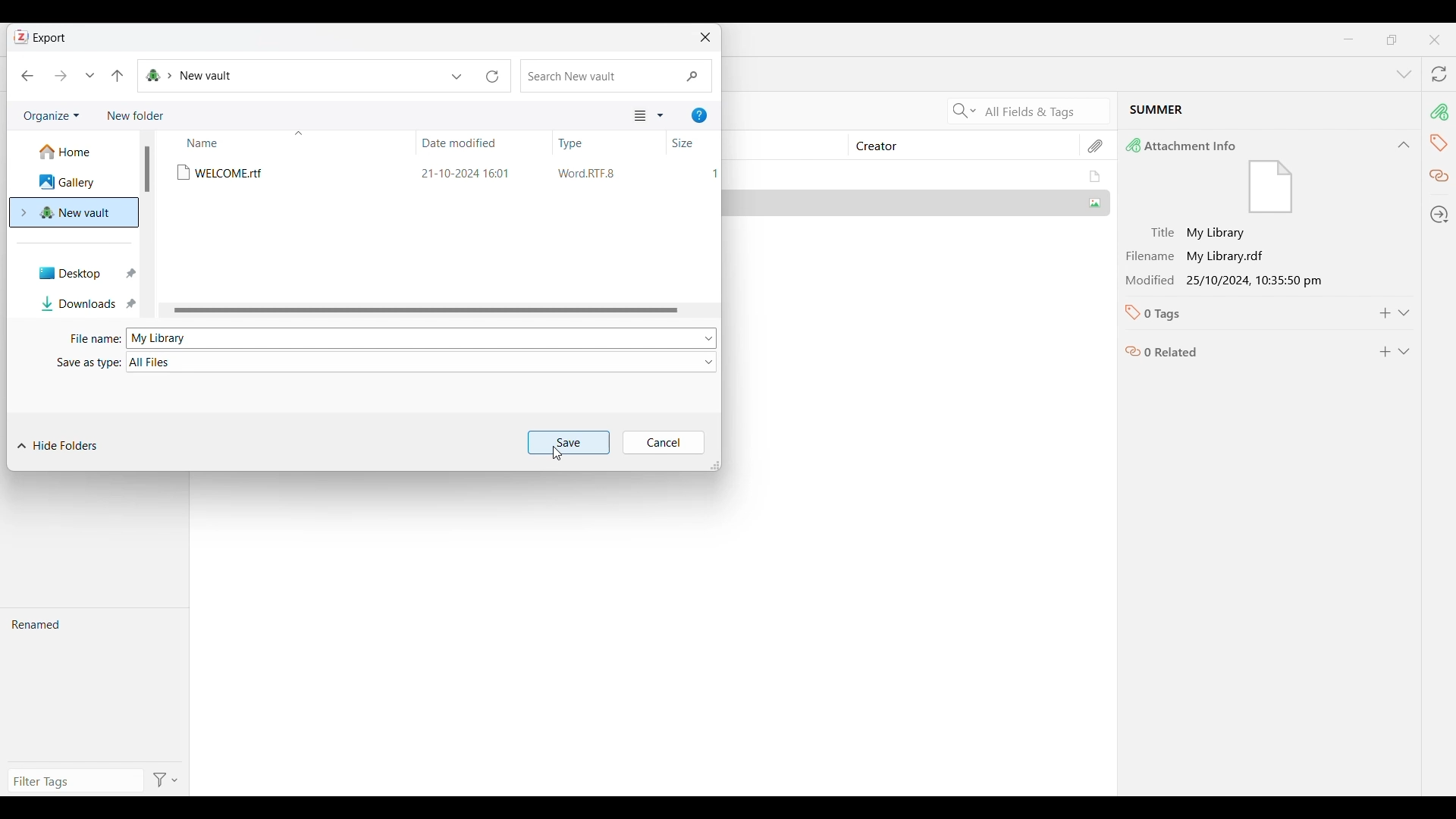  Describe the element at coordinates (136, 116) in the screenshot. I see `Add new folder` at that location.